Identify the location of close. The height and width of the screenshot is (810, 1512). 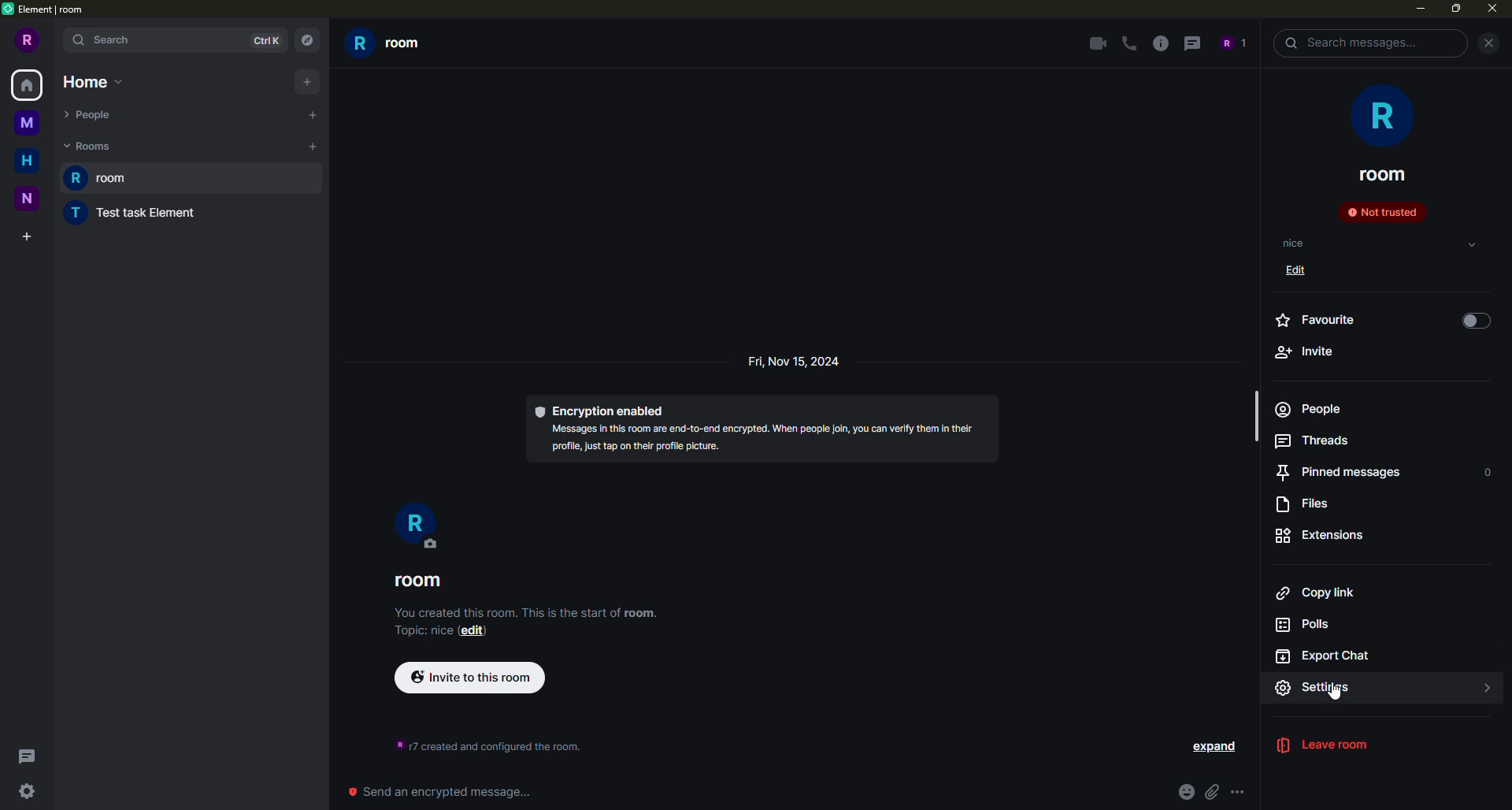
(1491, 10).